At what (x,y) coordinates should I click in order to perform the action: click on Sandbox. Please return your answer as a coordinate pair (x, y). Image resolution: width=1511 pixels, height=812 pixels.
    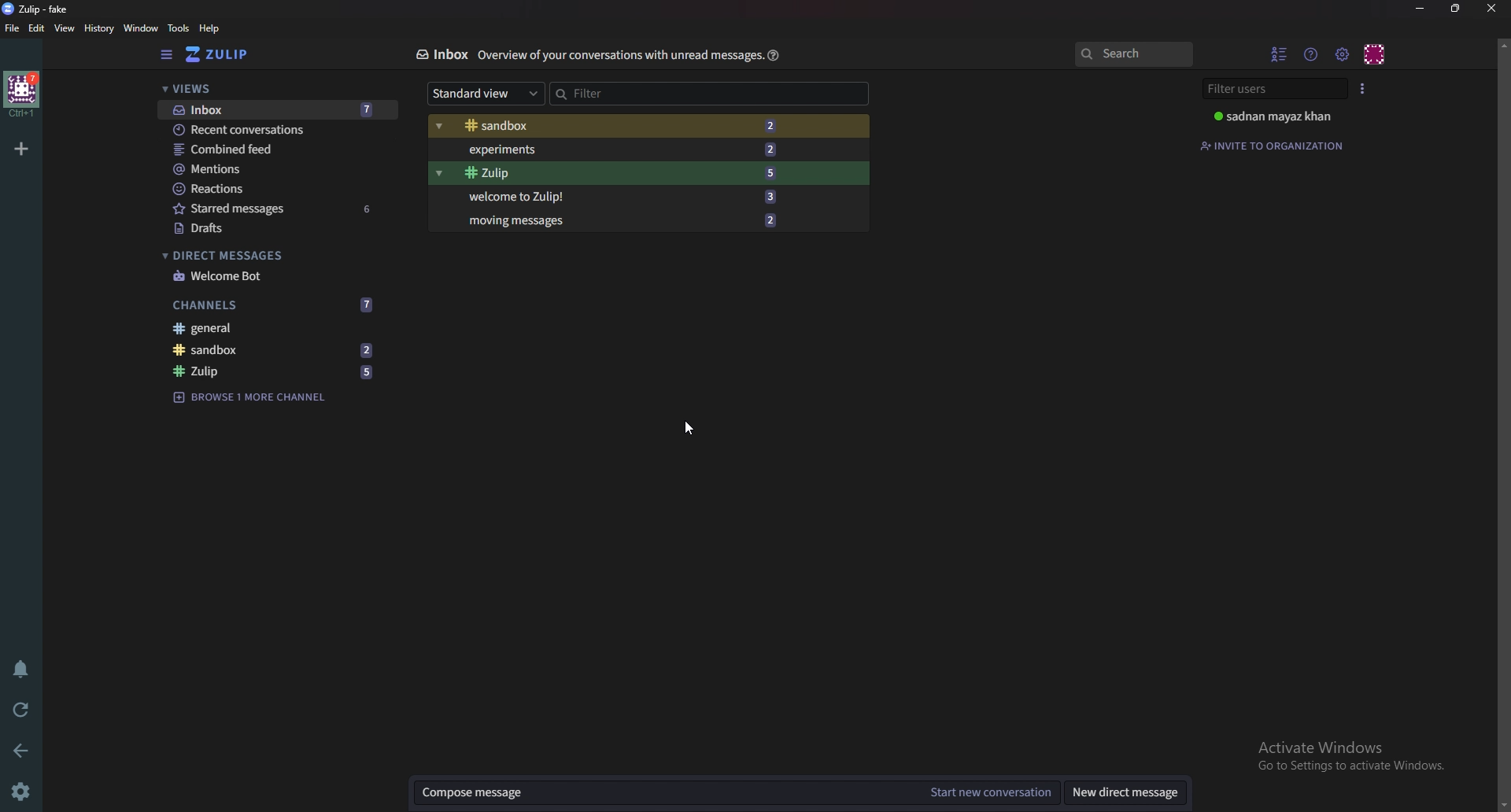
    Looking at the image, I should click on (614, 127).